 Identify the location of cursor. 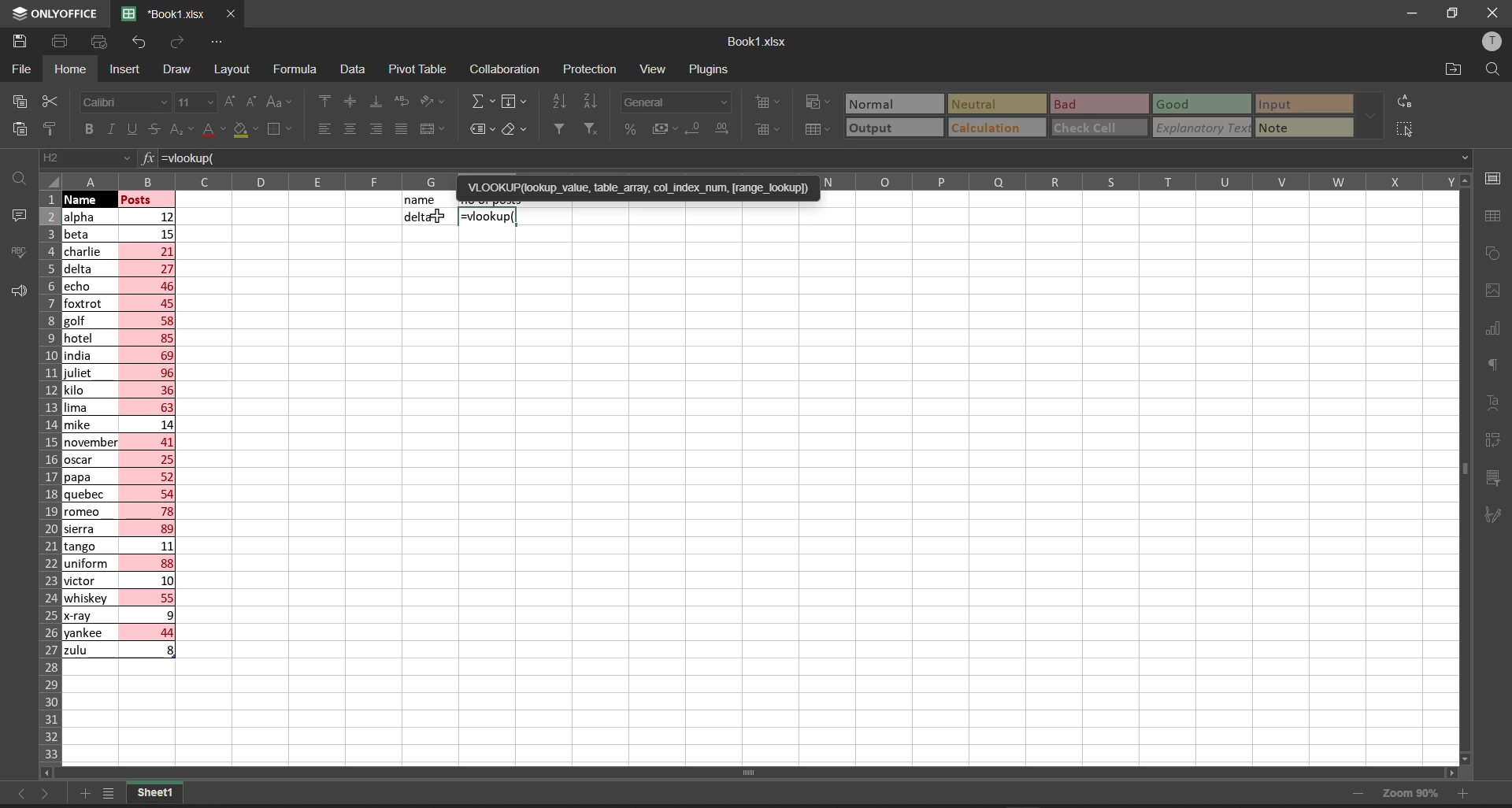
(438, 217).